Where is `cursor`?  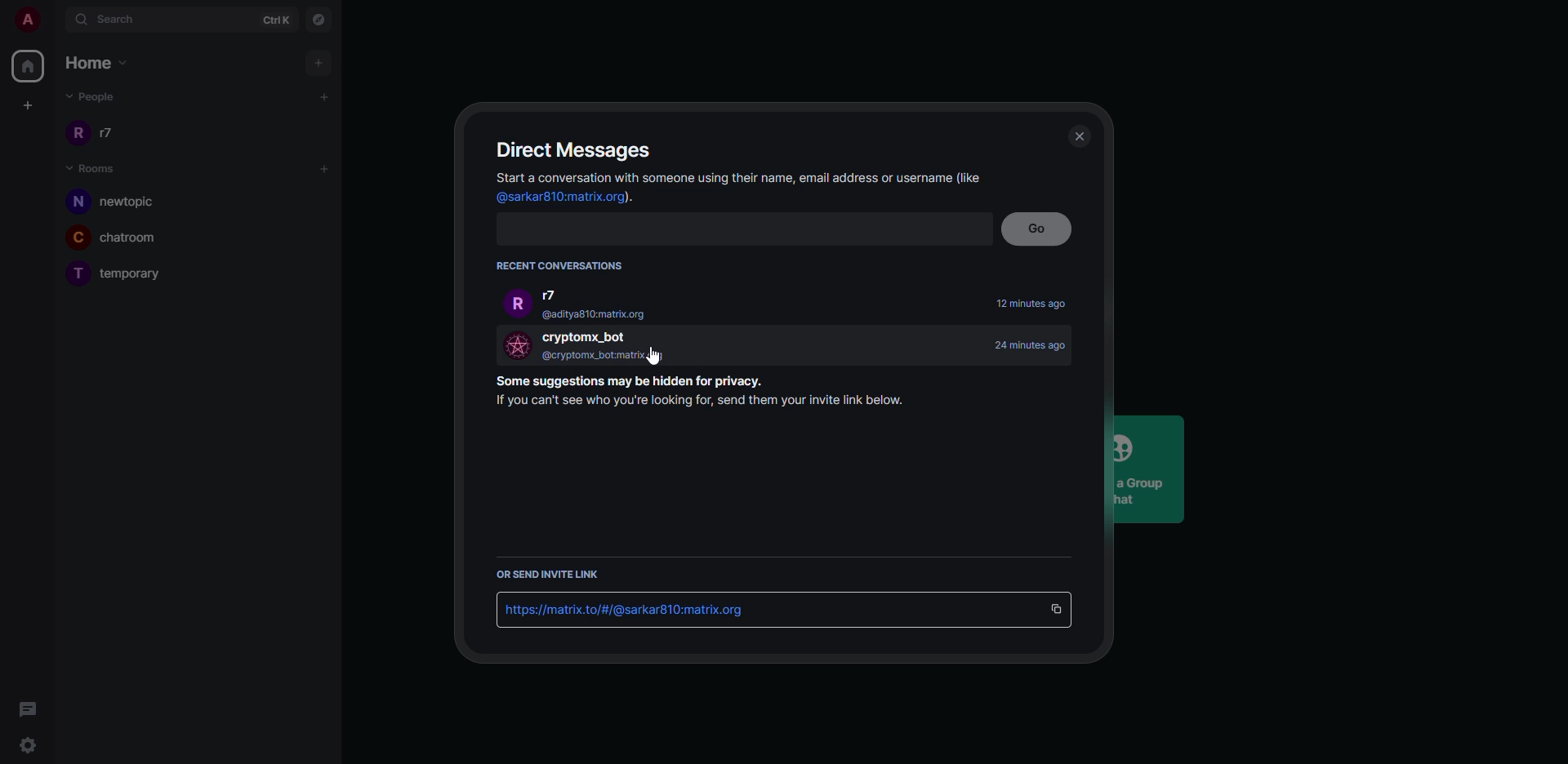
cursor is located at coordinates (661, 359).